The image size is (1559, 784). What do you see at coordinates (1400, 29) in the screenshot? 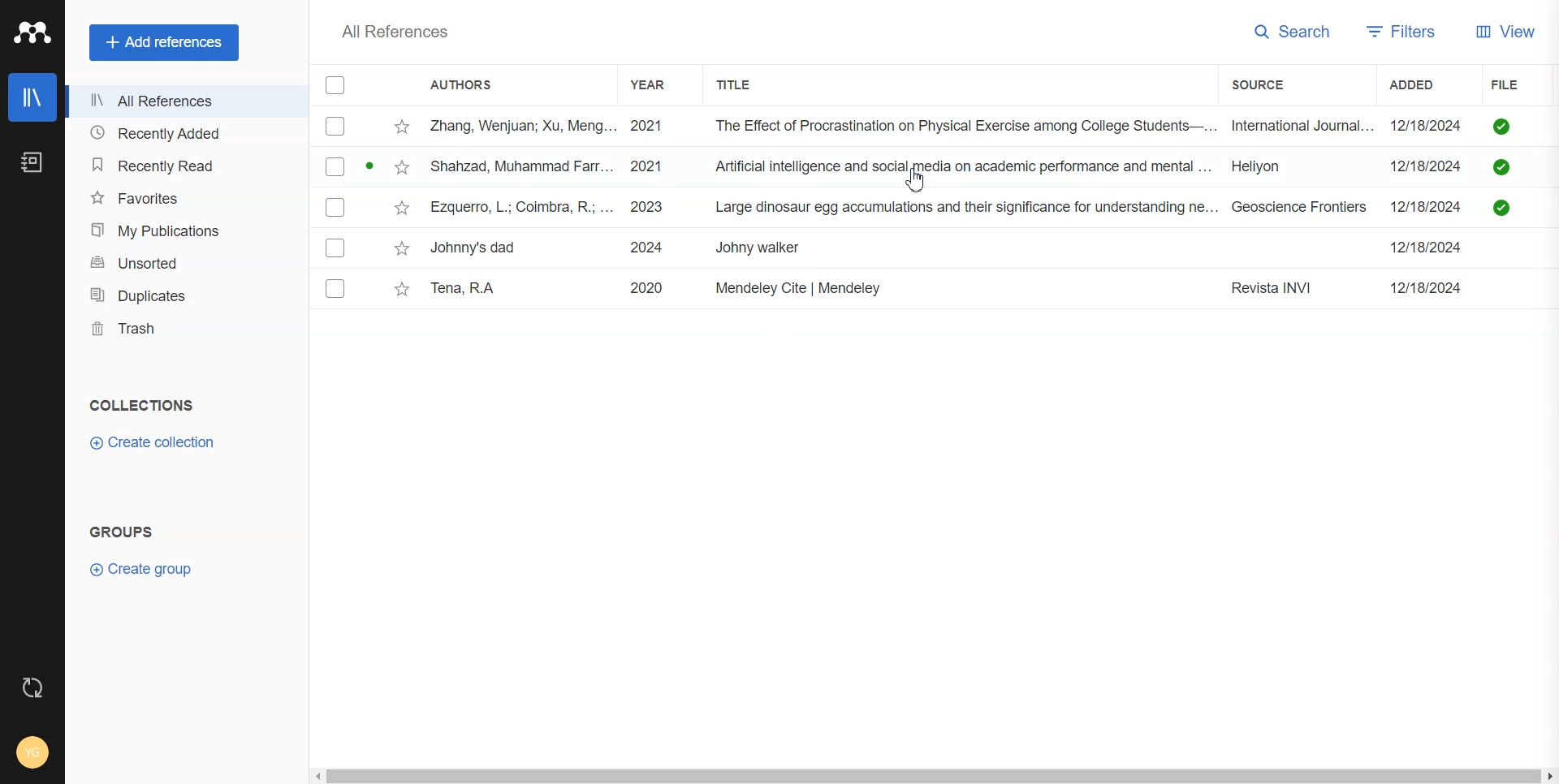
I see `Filters` at bounding box center [1400, 29].